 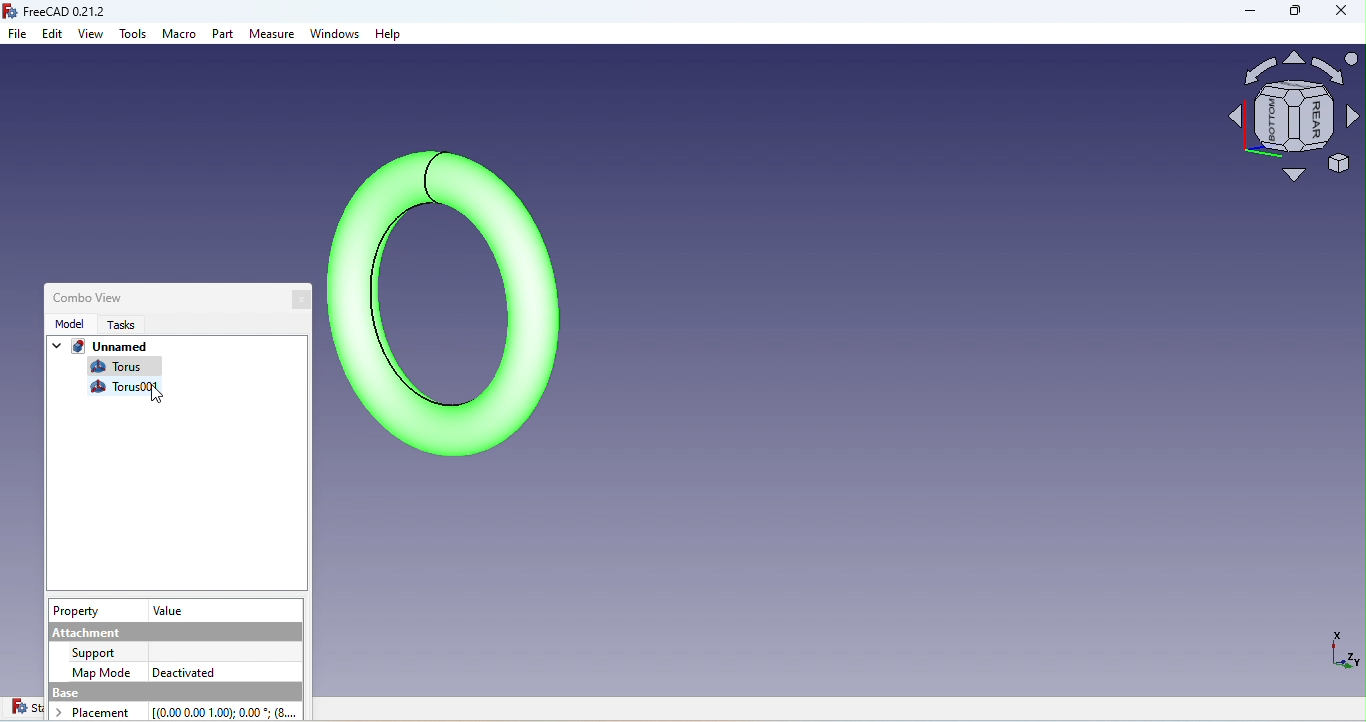 What do you see at coordinates (19, 35) in the screenshot?
I see `File` at bounding box center [19, 35].